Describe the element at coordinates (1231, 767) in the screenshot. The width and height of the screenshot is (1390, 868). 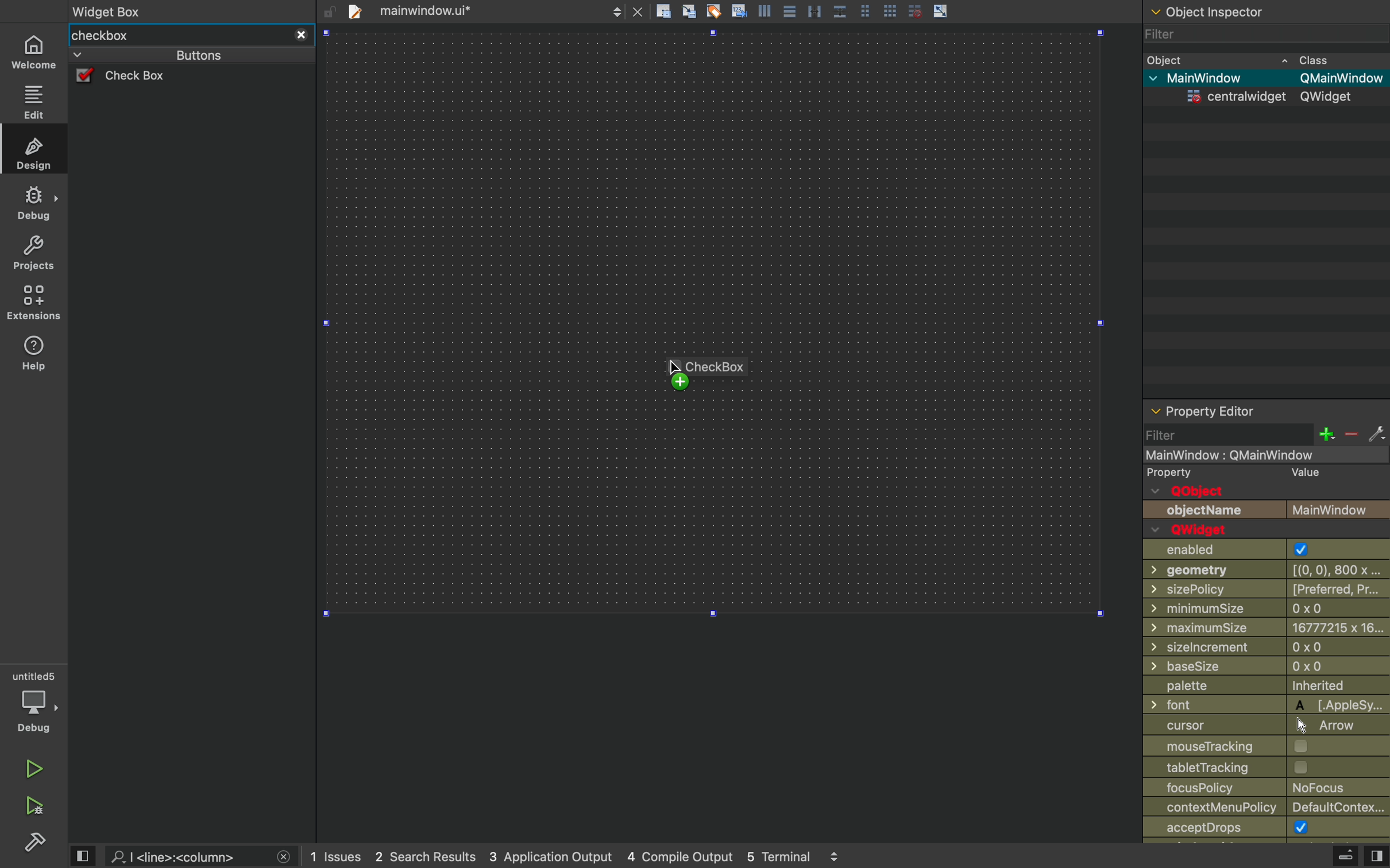
I see `table tracking` at that location.